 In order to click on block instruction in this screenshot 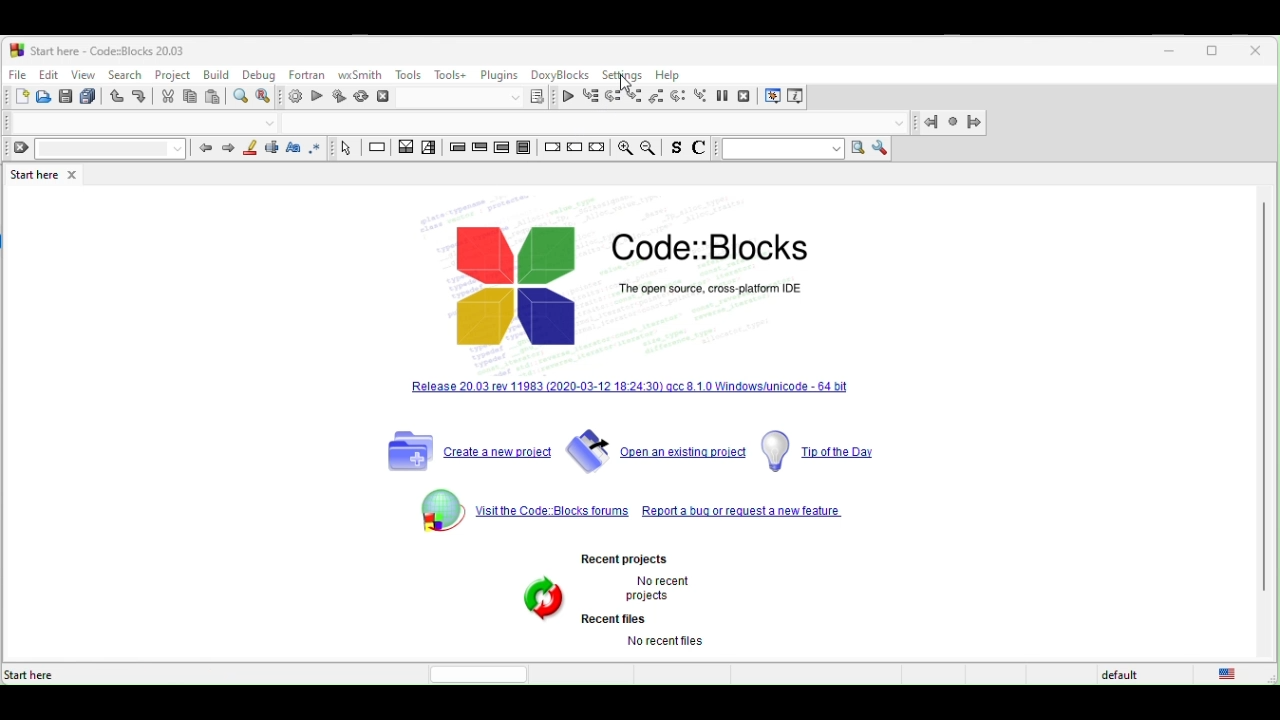, I will do `click(527, 149)`.